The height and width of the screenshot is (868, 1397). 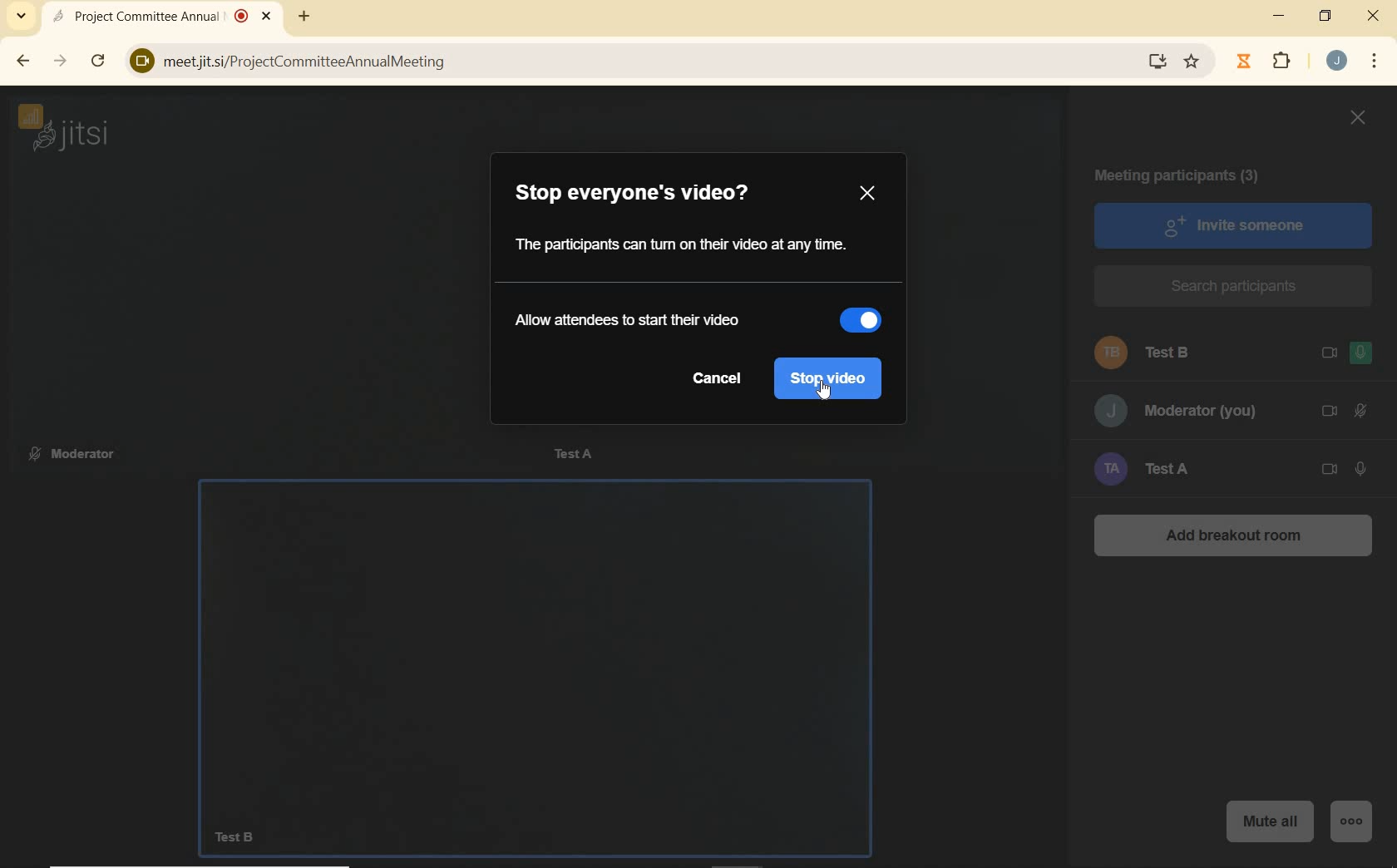 I want to click on MICROPHONE, so click(x=1360, y=355).